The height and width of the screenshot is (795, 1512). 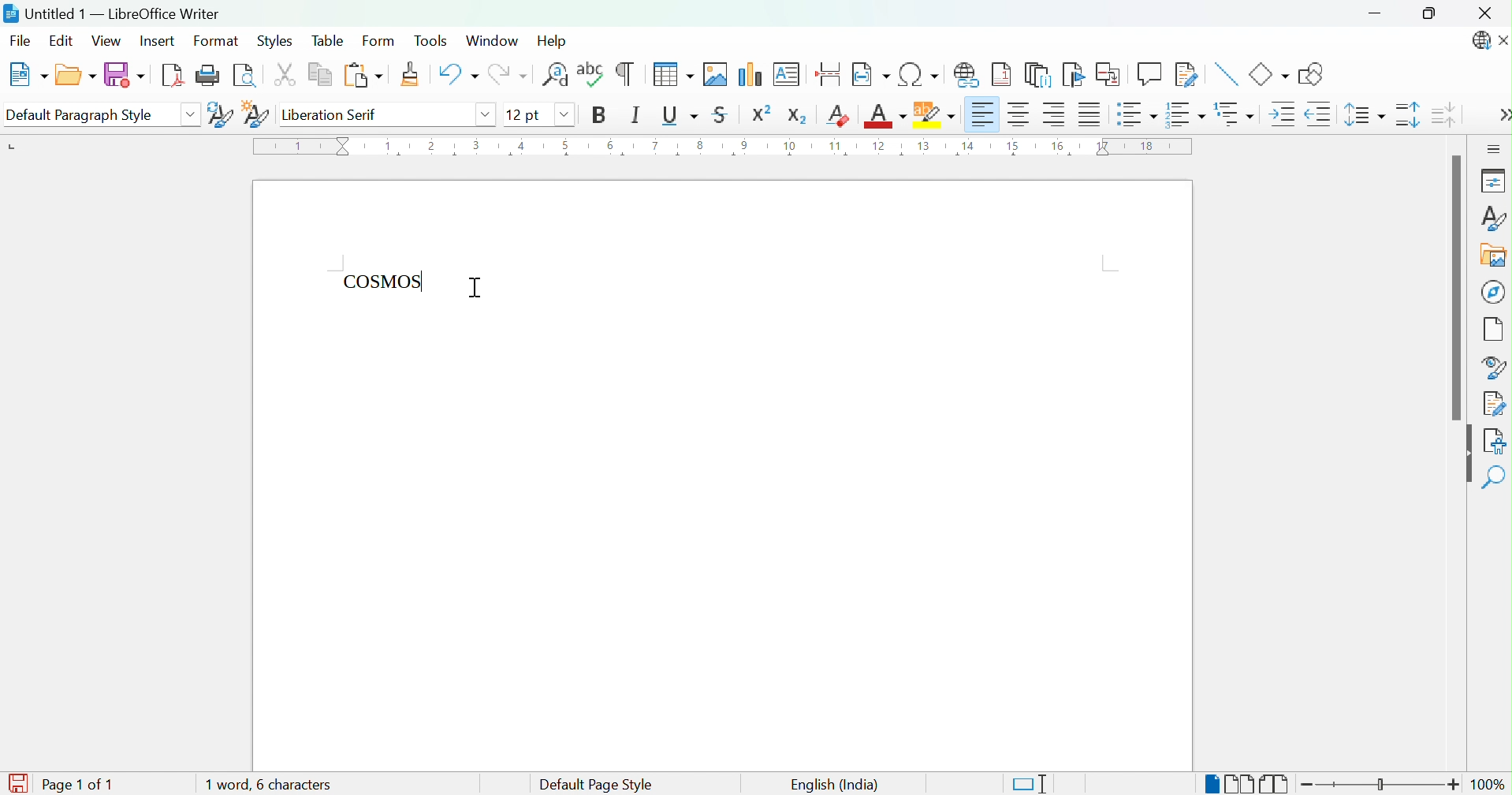 I want to click on Form, so click(x=378, y=42).